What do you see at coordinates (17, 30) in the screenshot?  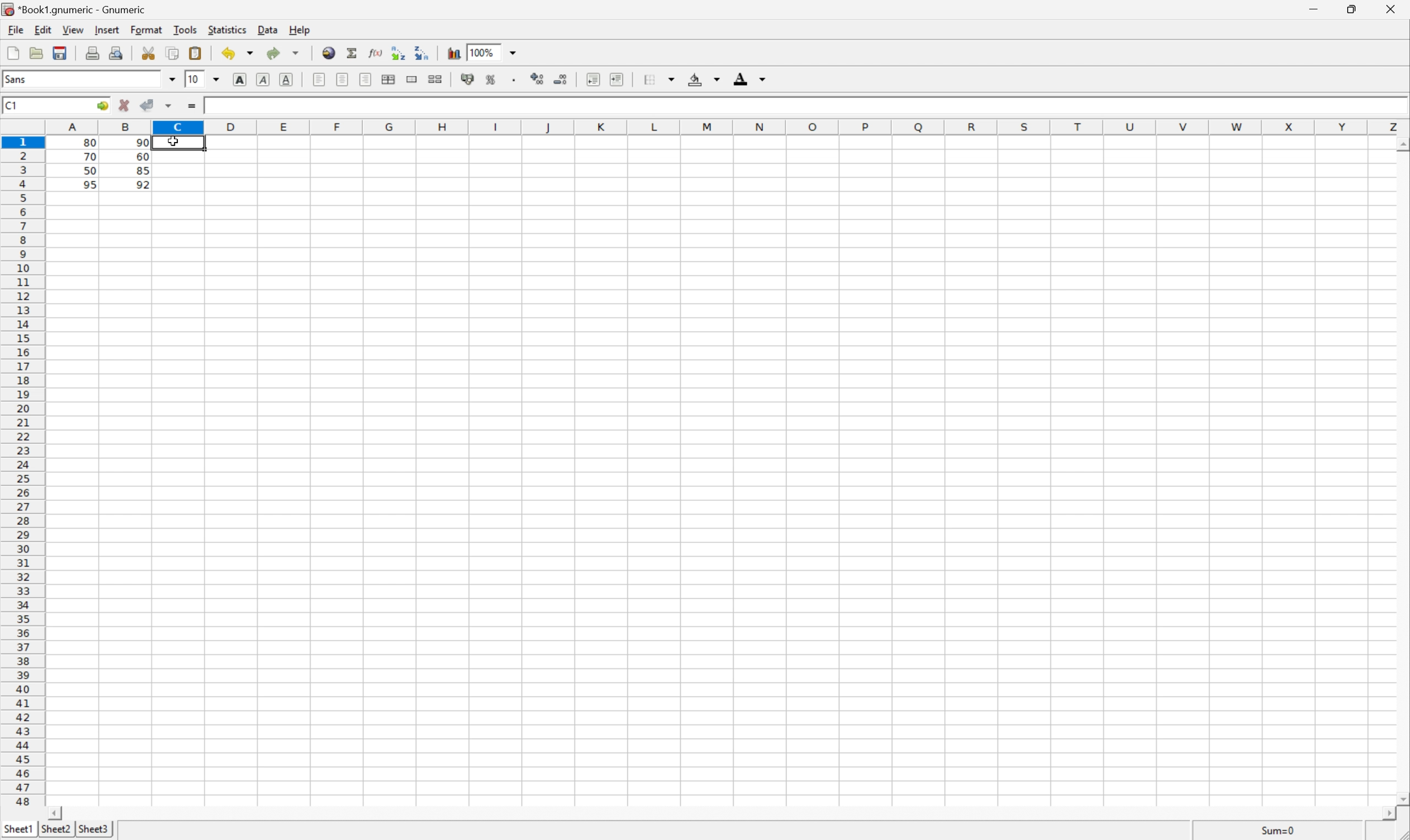 I see `File` at bounding box center [17, 30].